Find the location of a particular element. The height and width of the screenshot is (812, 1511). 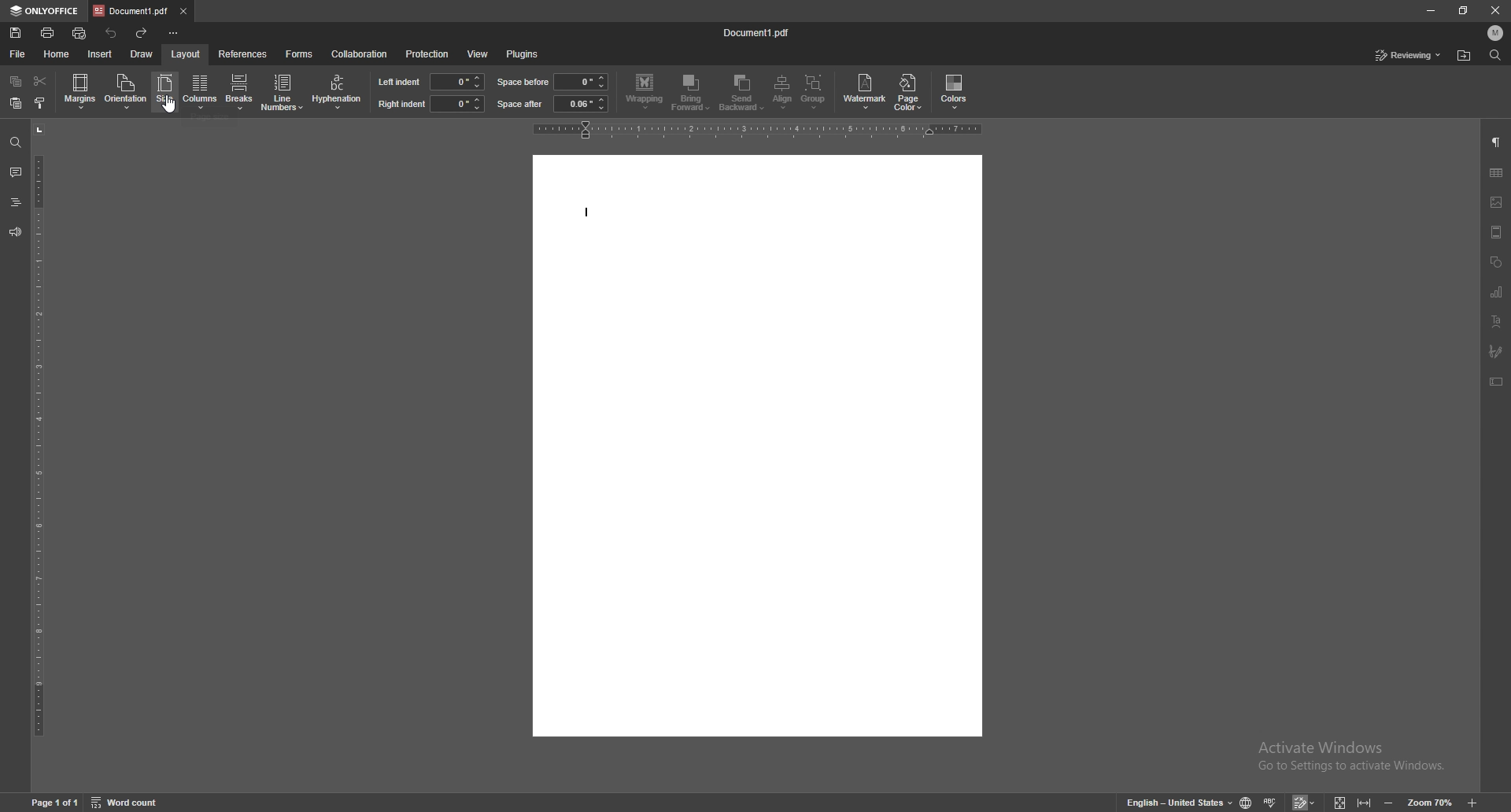

cursor is located at coordinates (172, 108).